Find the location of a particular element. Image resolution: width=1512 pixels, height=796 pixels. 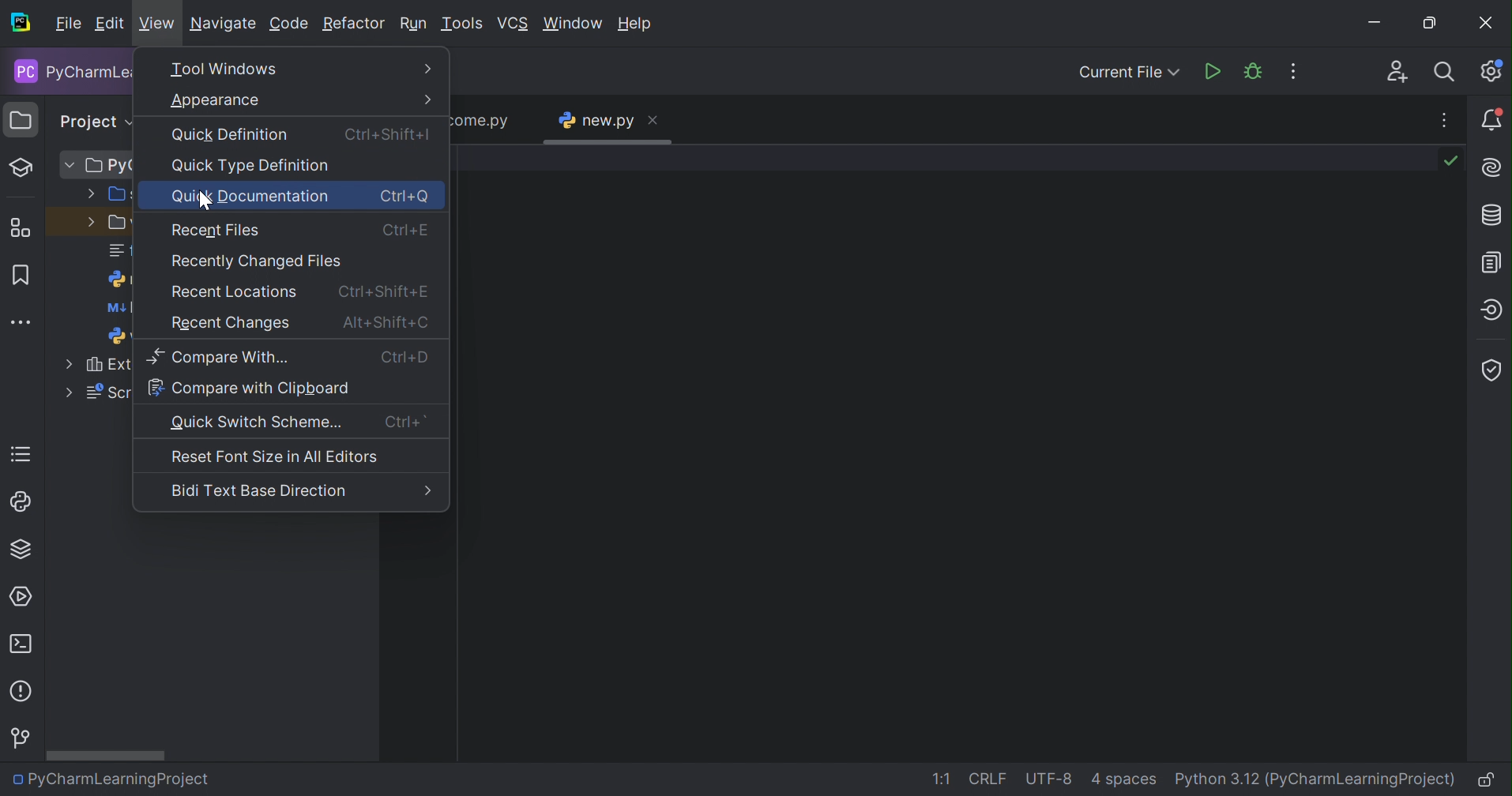

Python Packages is located at coordinates (19, 551).